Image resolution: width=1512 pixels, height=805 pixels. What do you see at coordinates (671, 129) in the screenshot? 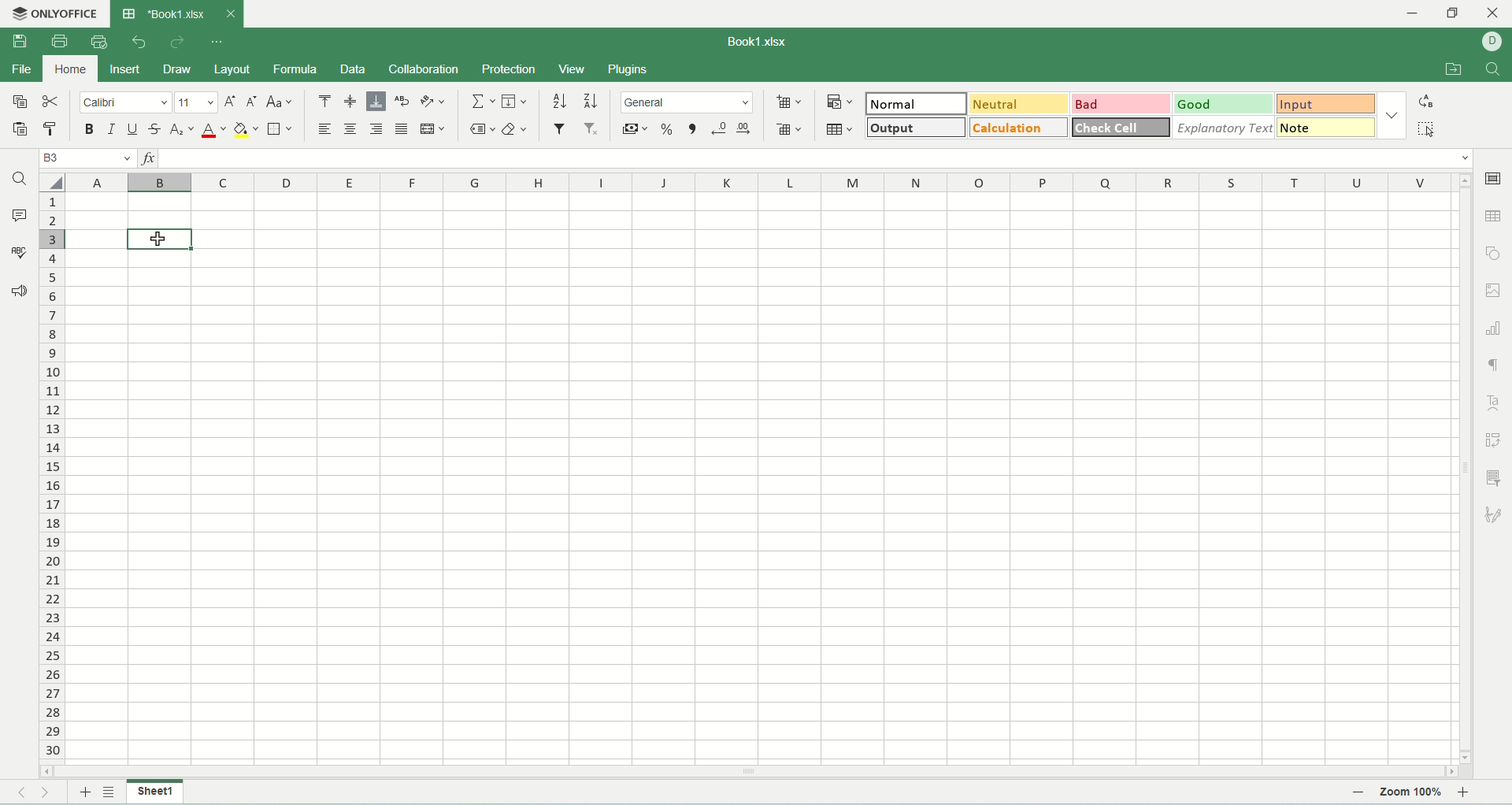
I see `percent style` at bounding box center [671, 129].